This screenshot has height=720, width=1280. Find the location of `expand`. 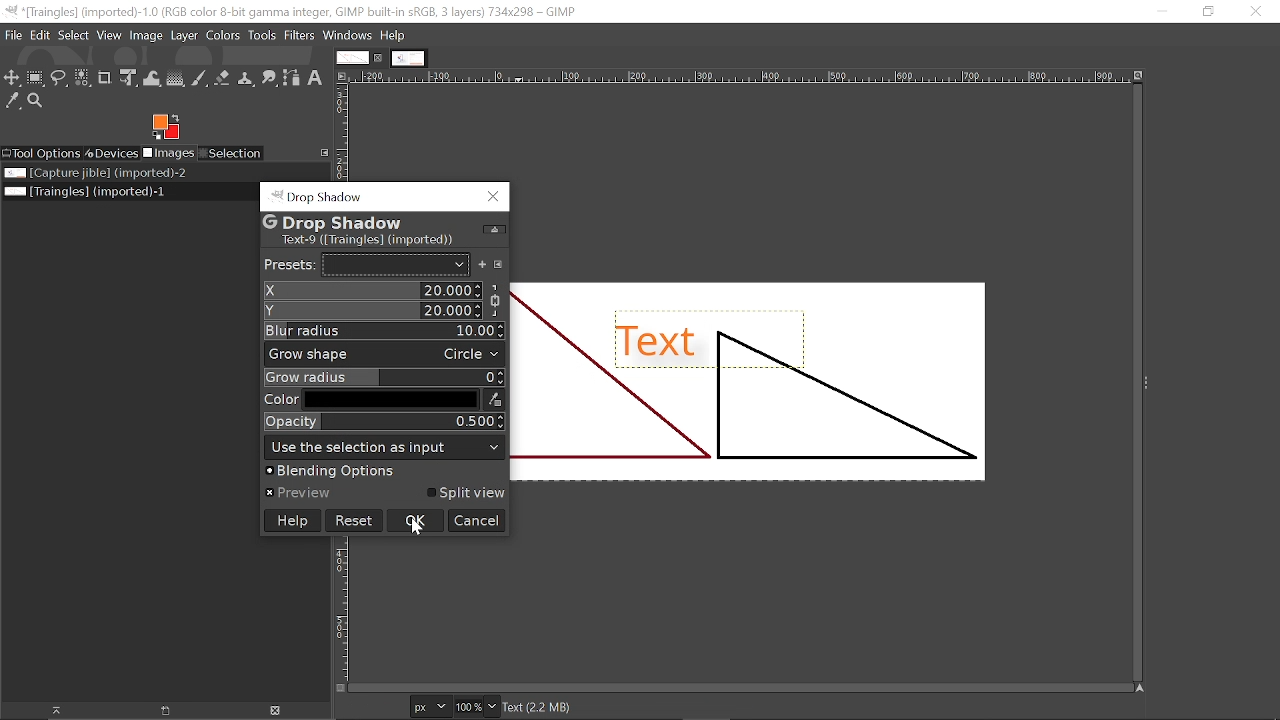

expand is located at coordinates (1145, 380).